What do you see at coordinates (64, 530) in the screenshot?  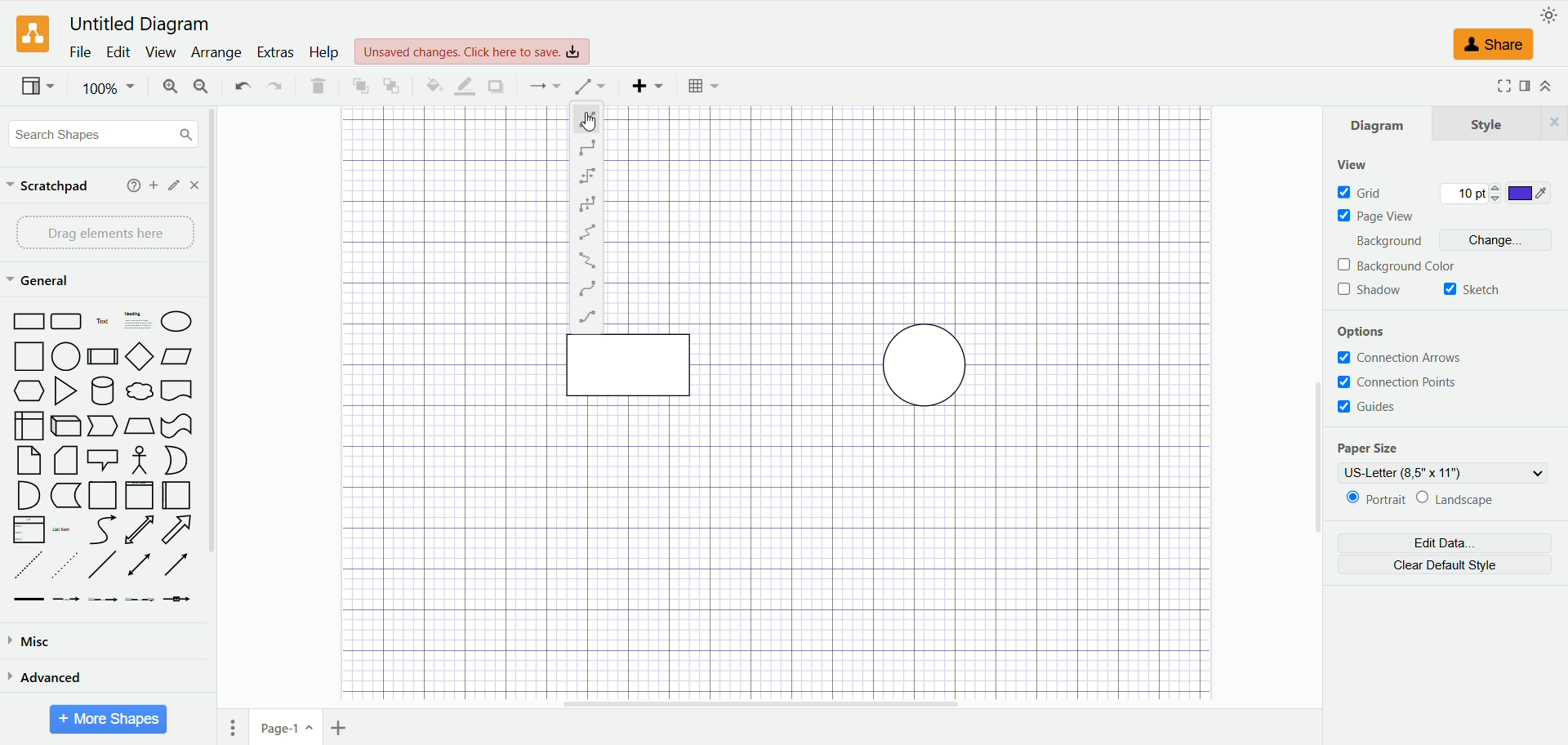 I see `List Item` at bounding box center [64, 530].